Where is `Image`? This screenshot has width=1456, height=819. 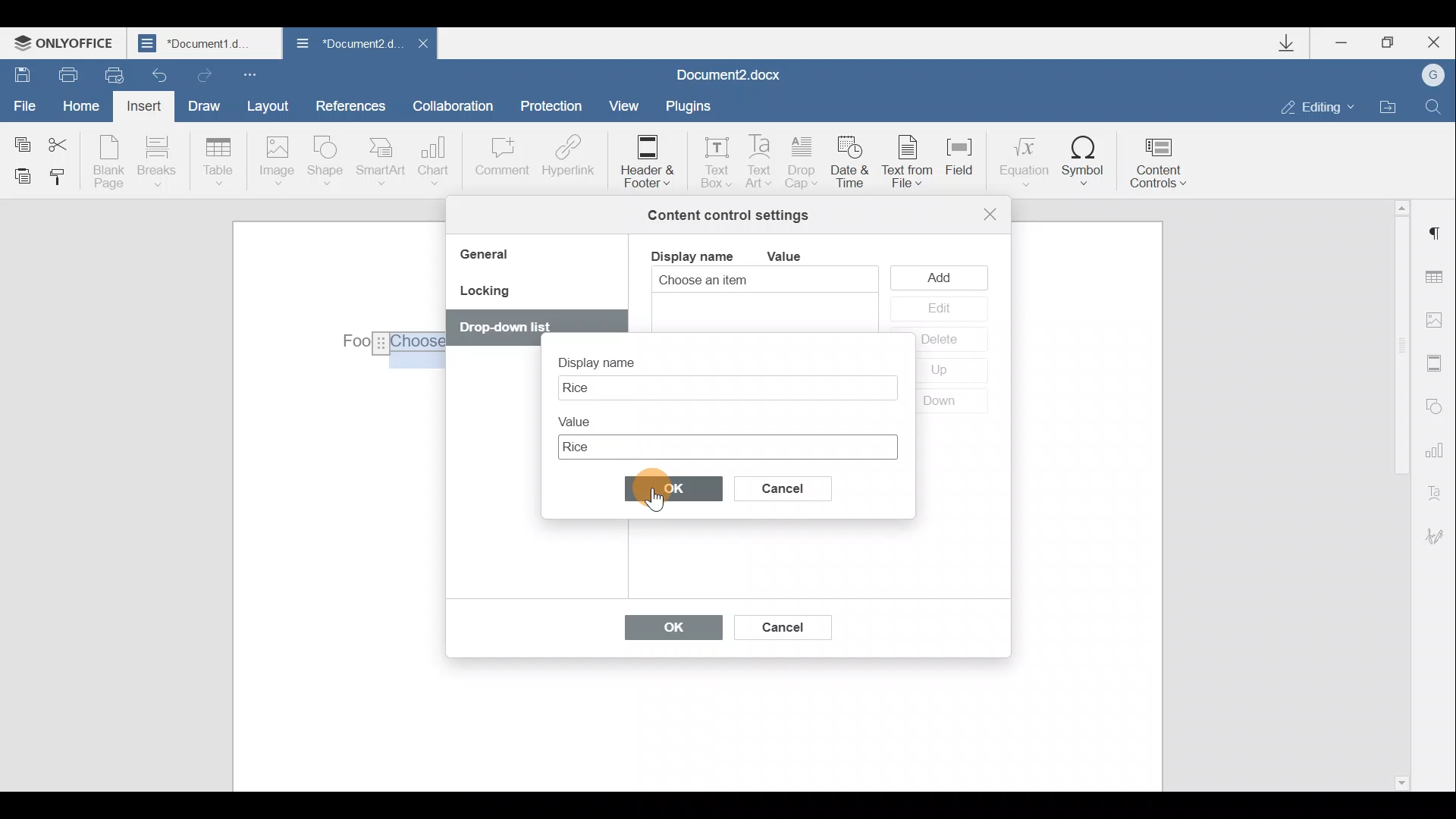
Image is located at coordinates (276, 162).